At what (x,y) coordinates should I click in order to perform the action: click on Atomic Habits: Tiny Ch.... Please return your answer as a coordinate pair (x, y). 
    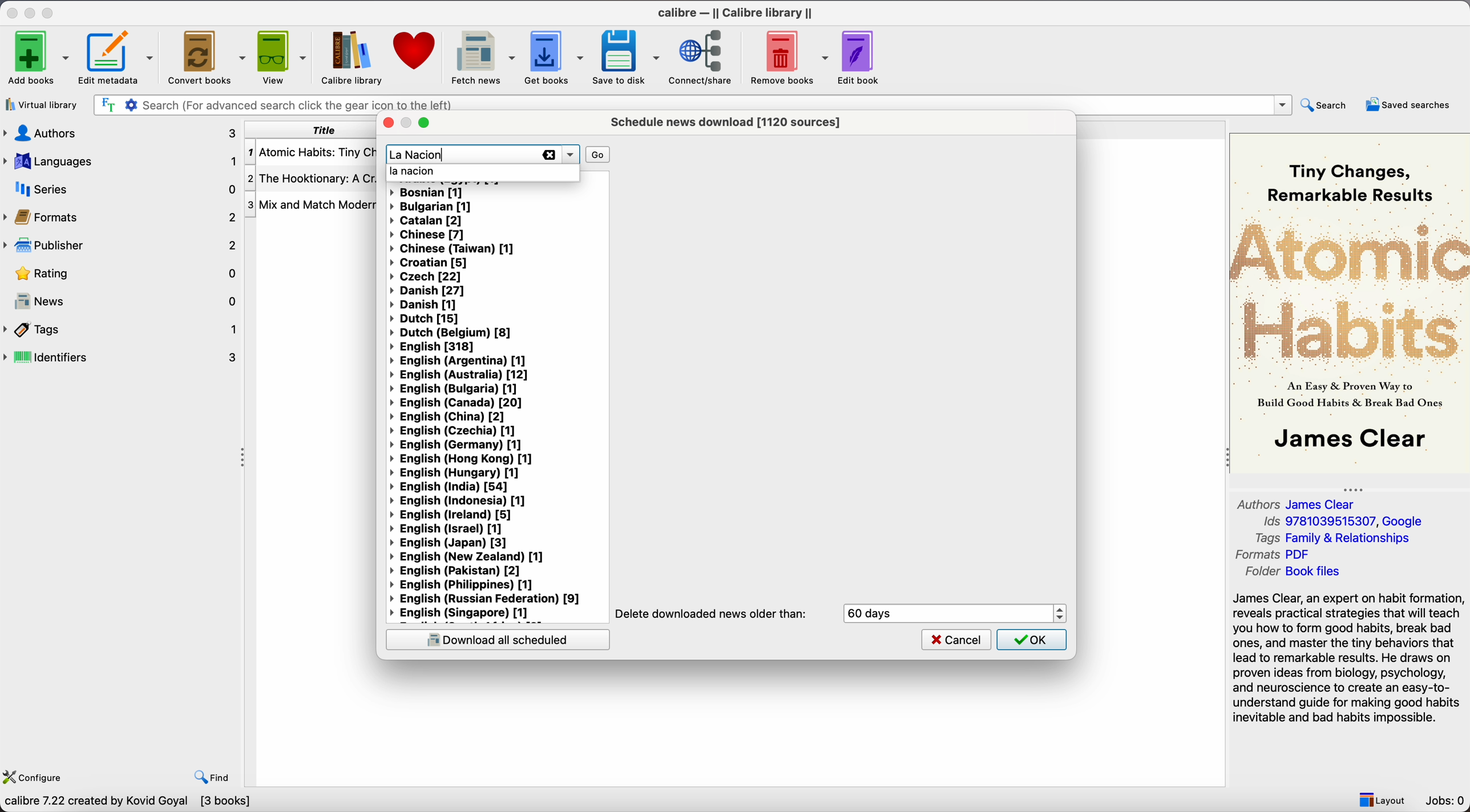
    Looking at the image, I should click on (312, 153).